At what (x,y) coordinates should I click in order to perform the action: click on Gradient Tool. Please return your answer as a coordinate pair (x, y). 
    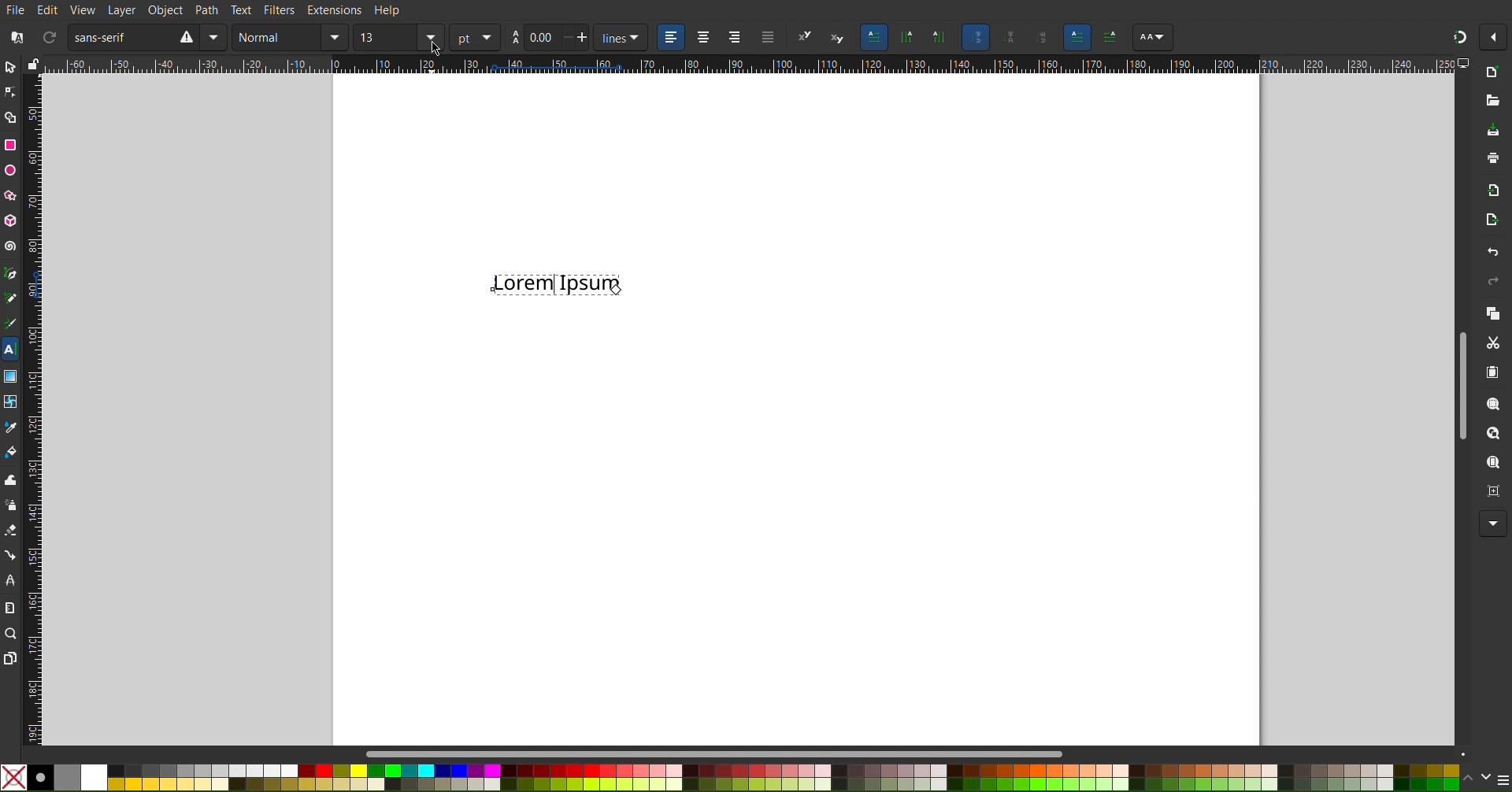
    Looking at the image, I should click on (10, 376).